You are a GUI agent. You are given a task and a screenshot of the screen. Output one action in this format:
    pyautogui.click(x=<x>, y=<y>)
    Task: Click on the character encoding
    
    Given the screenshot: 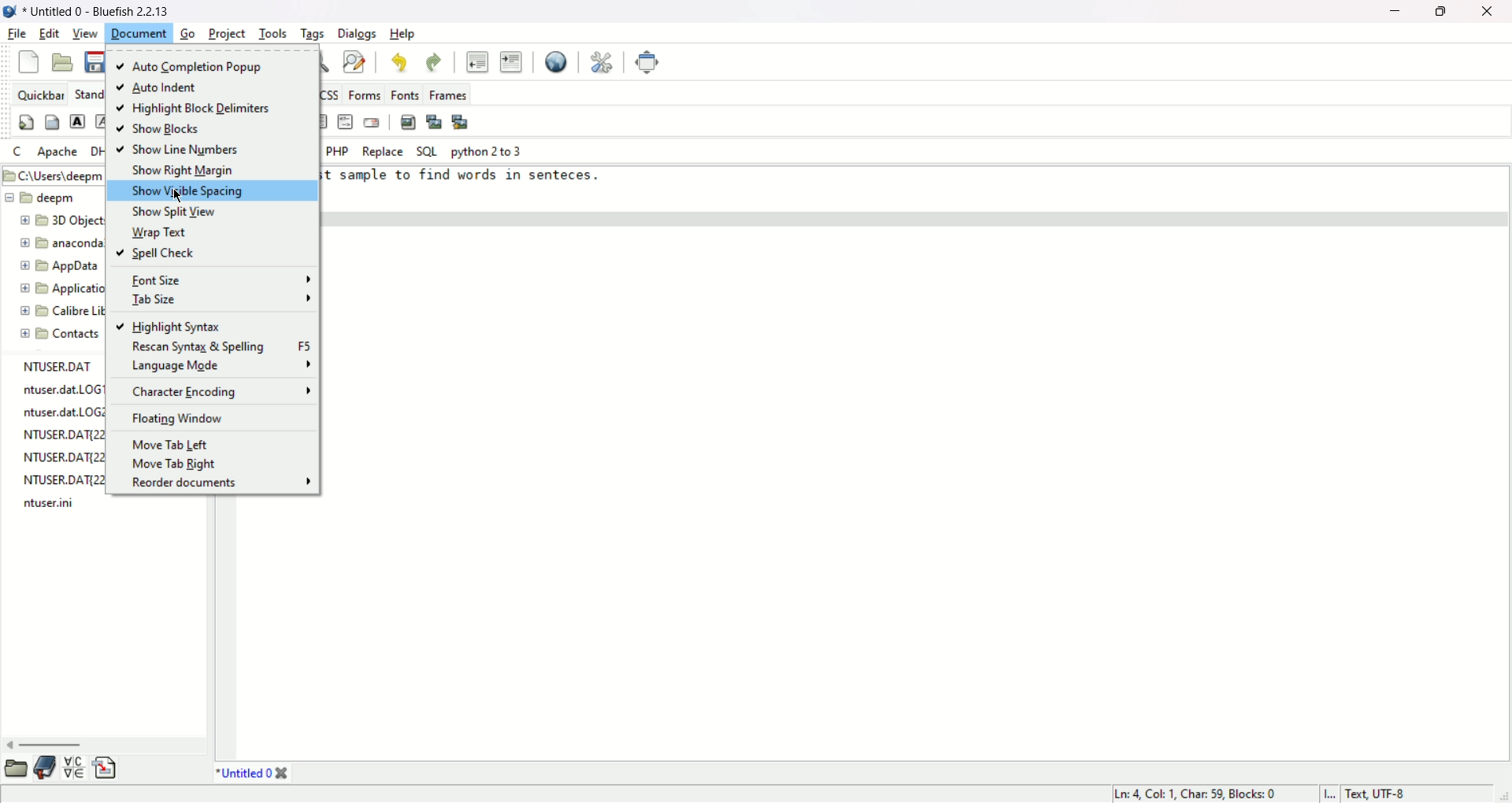 What is the action you would take?
    pyautogui.click(x=213, y=390)
    